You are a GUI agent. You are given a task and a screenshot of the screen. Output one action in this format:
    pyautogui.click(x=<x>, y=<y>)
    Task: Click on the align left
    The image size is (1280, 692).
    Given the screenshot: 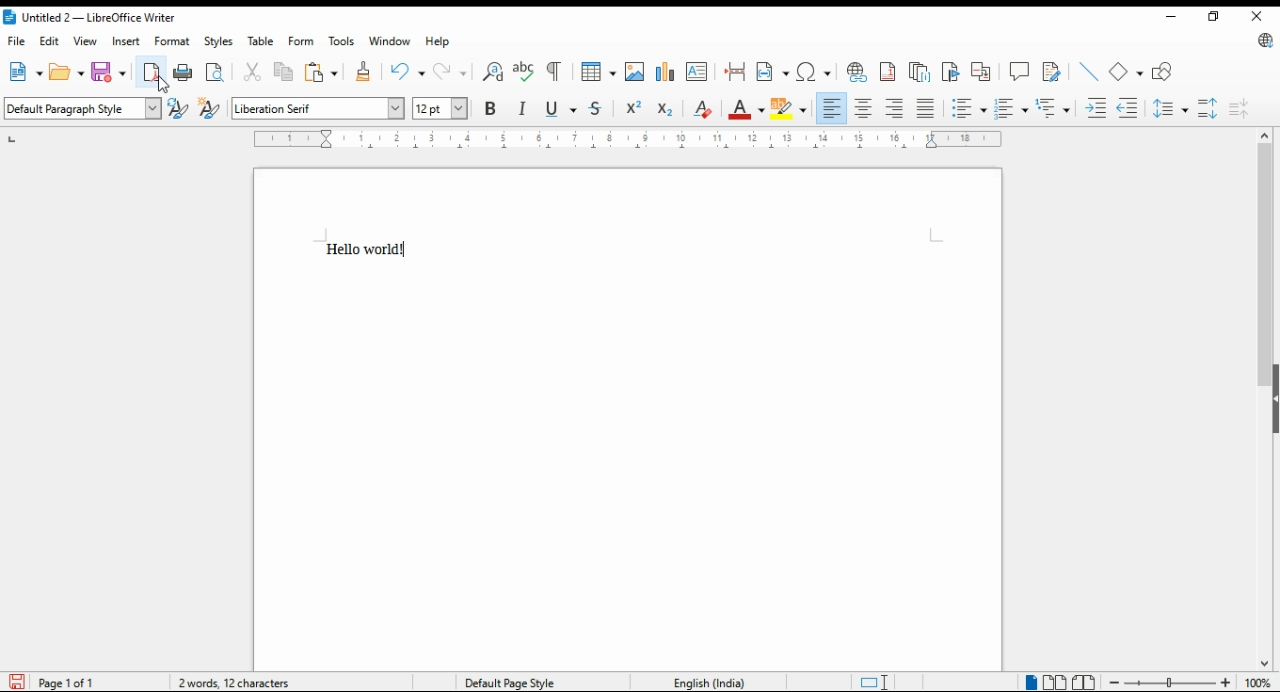 What is the action you would take?
    pyautogui.click(x=832, y=107)
    